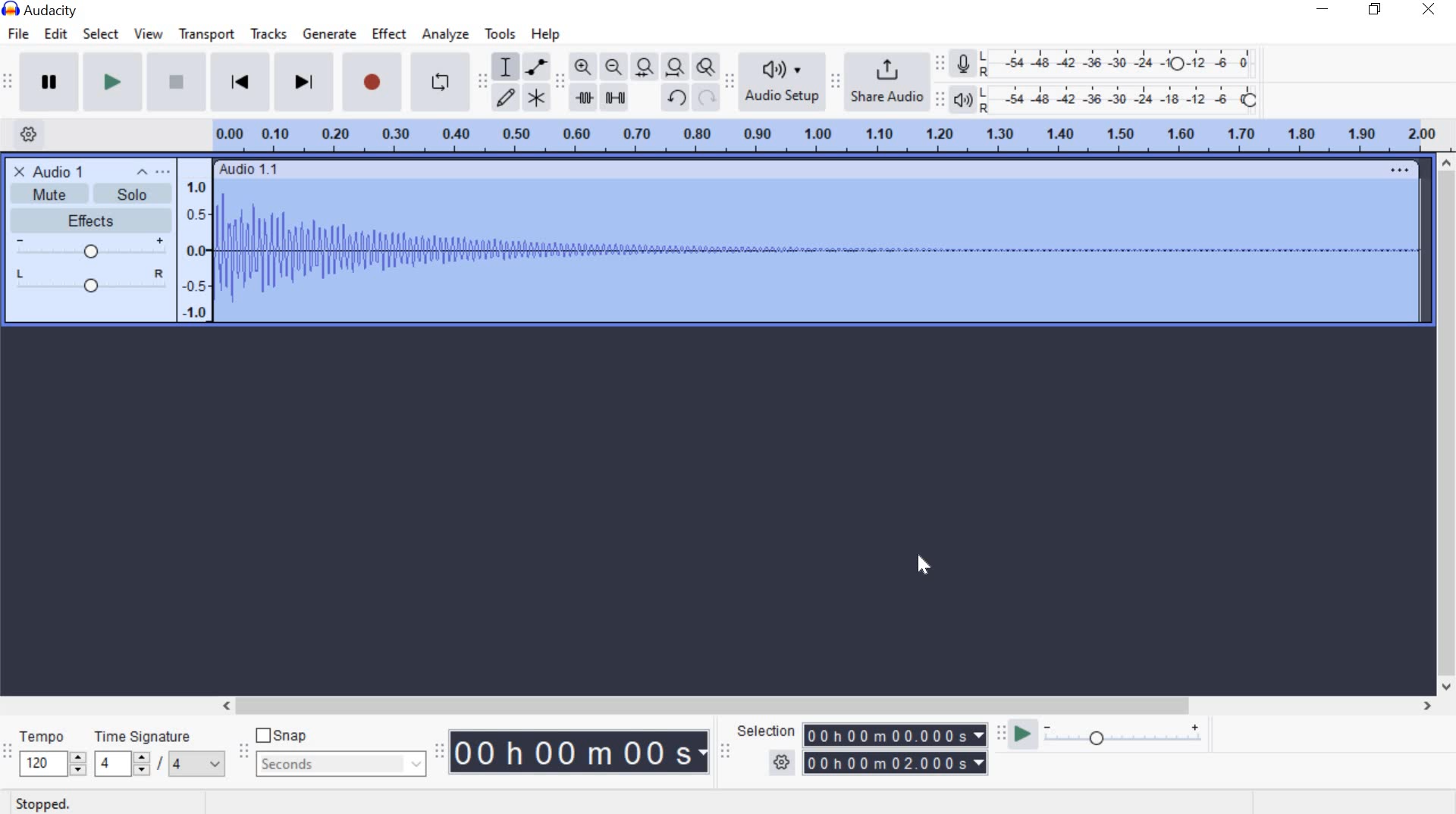 Image resolution: width=1456 pixels, height=814 pixels. I want to click on Pause, so click(49, 80).